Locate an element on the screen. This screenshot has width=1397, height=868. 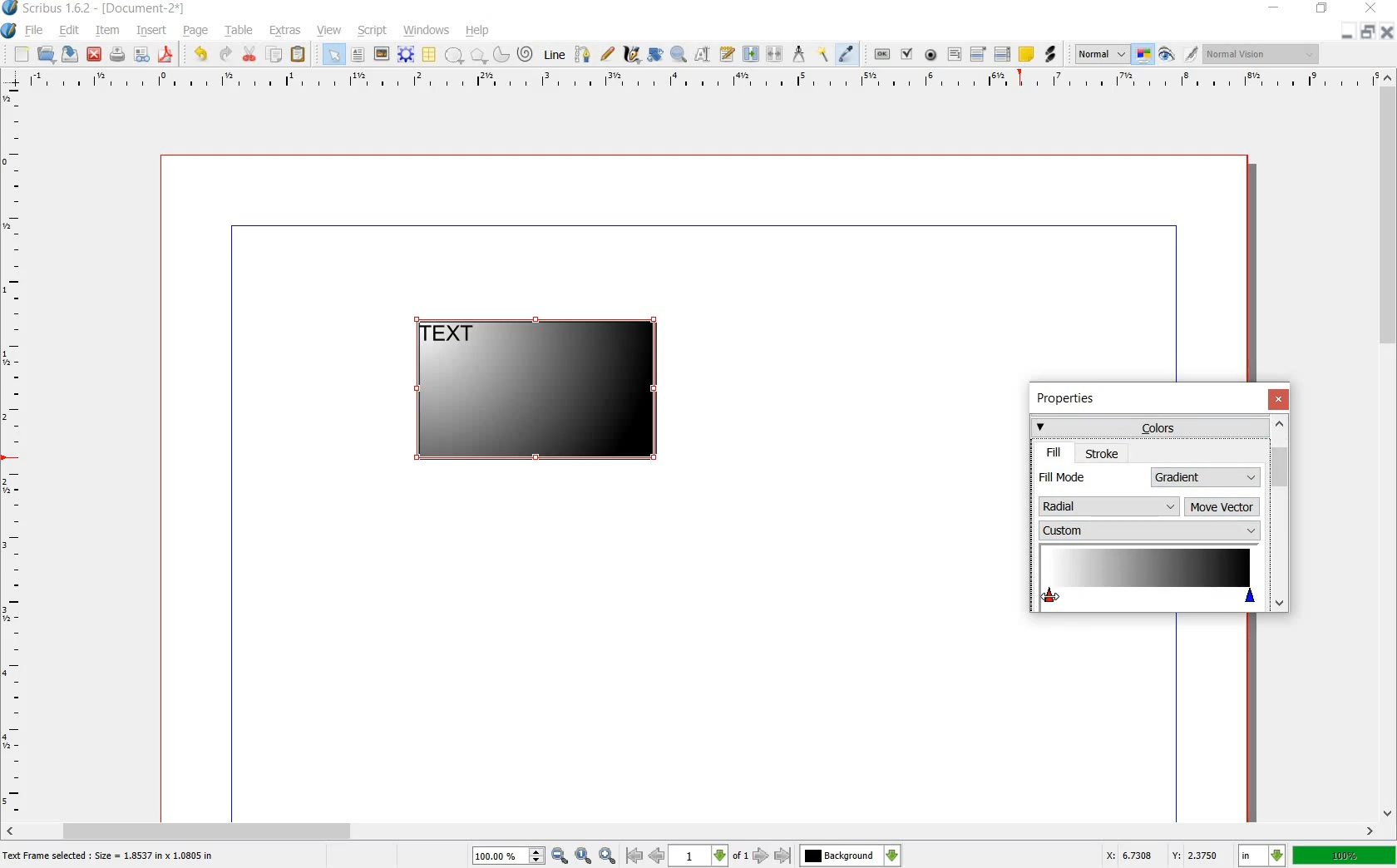
cut is located at coordinates (250, 55).